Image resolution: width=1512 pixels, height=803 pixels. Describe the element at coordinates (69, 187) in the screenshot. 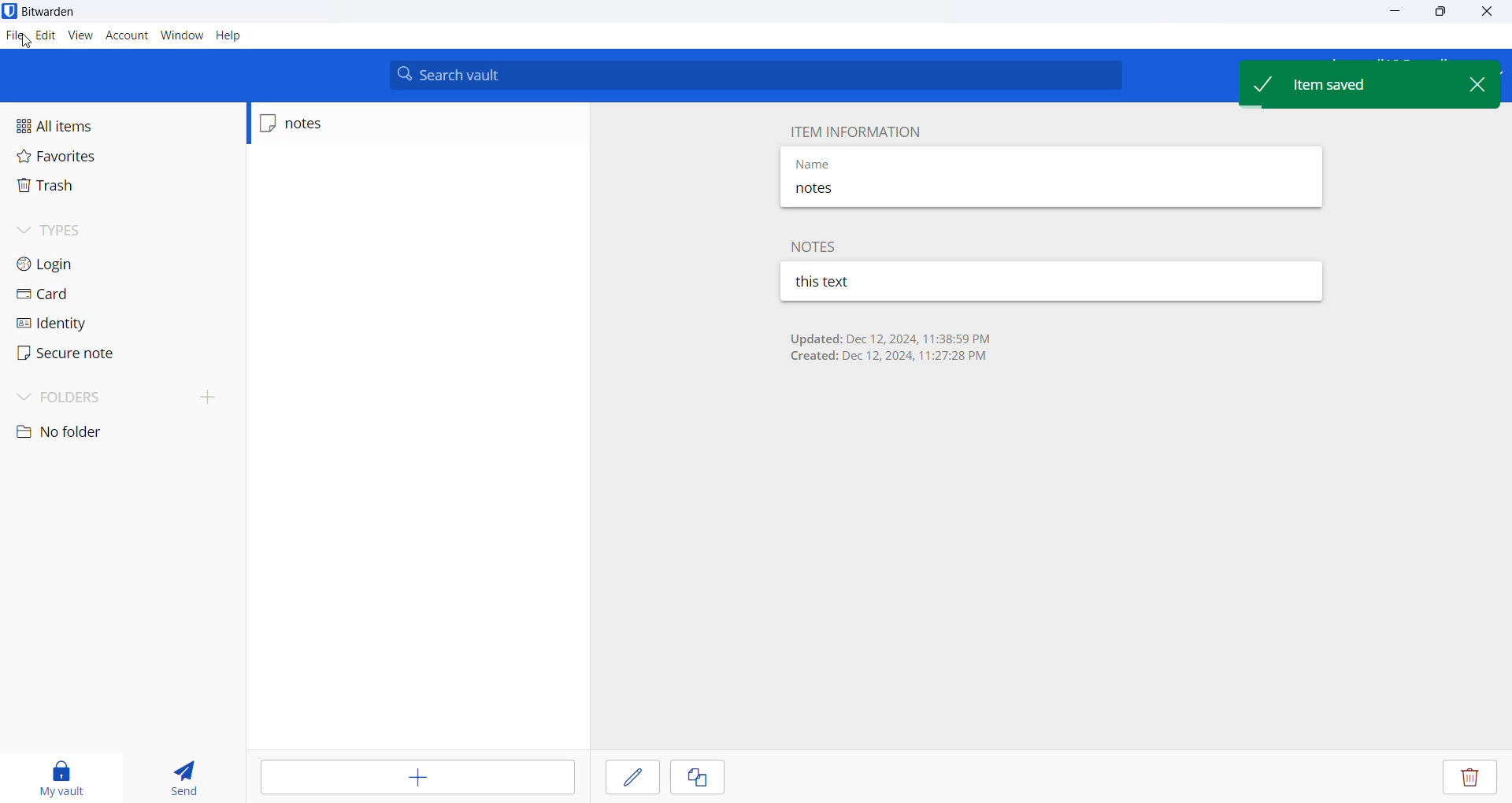

I see `trash` at that location.